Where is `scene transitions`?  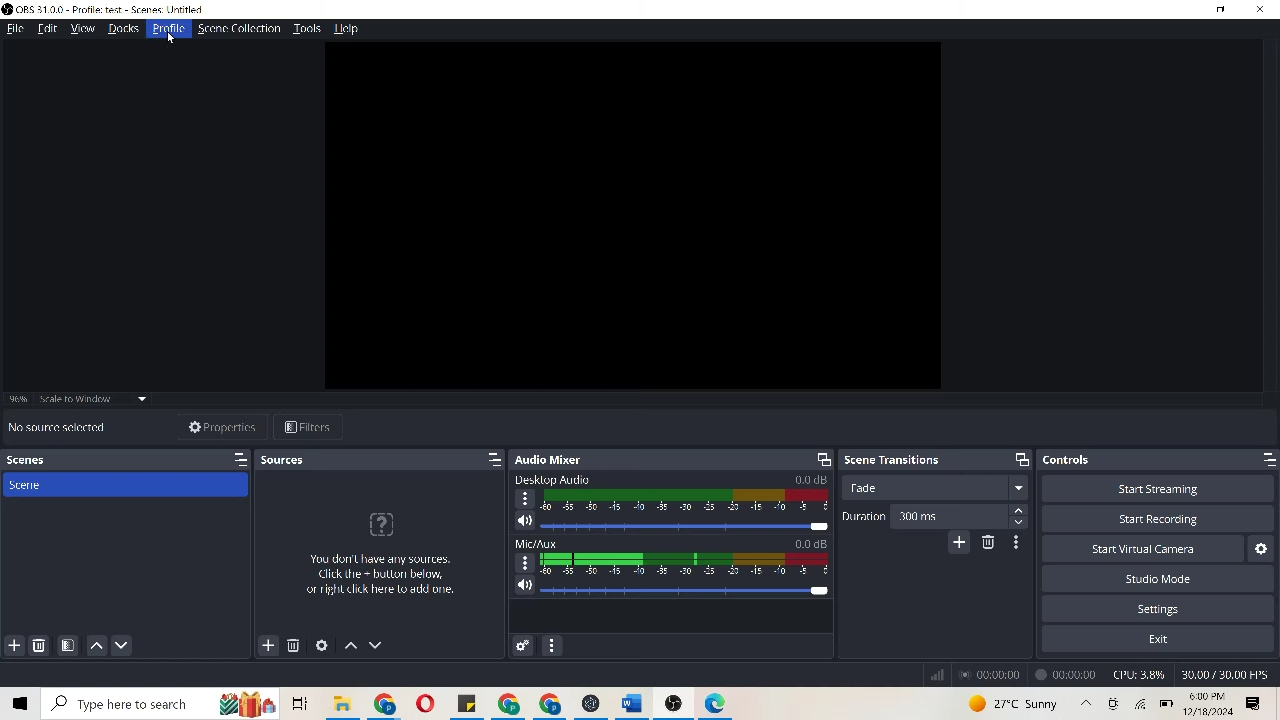 scene transitions is located at coordinates (897, 459).